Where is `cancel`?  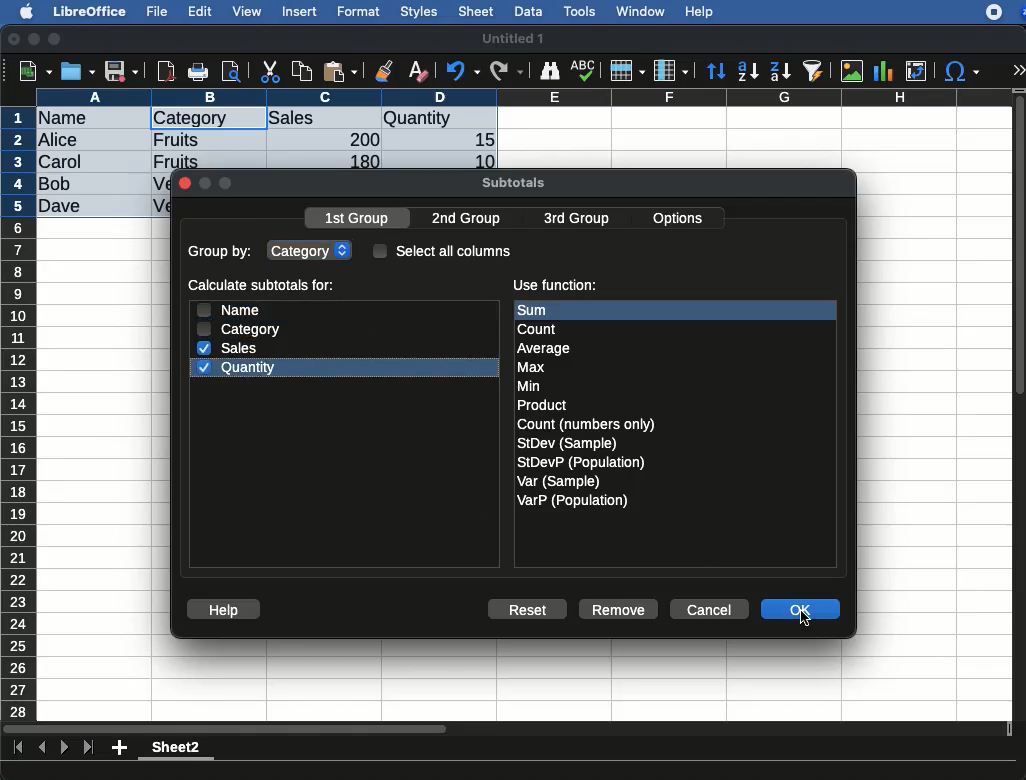
cancel is located at coordinates (708, 610).